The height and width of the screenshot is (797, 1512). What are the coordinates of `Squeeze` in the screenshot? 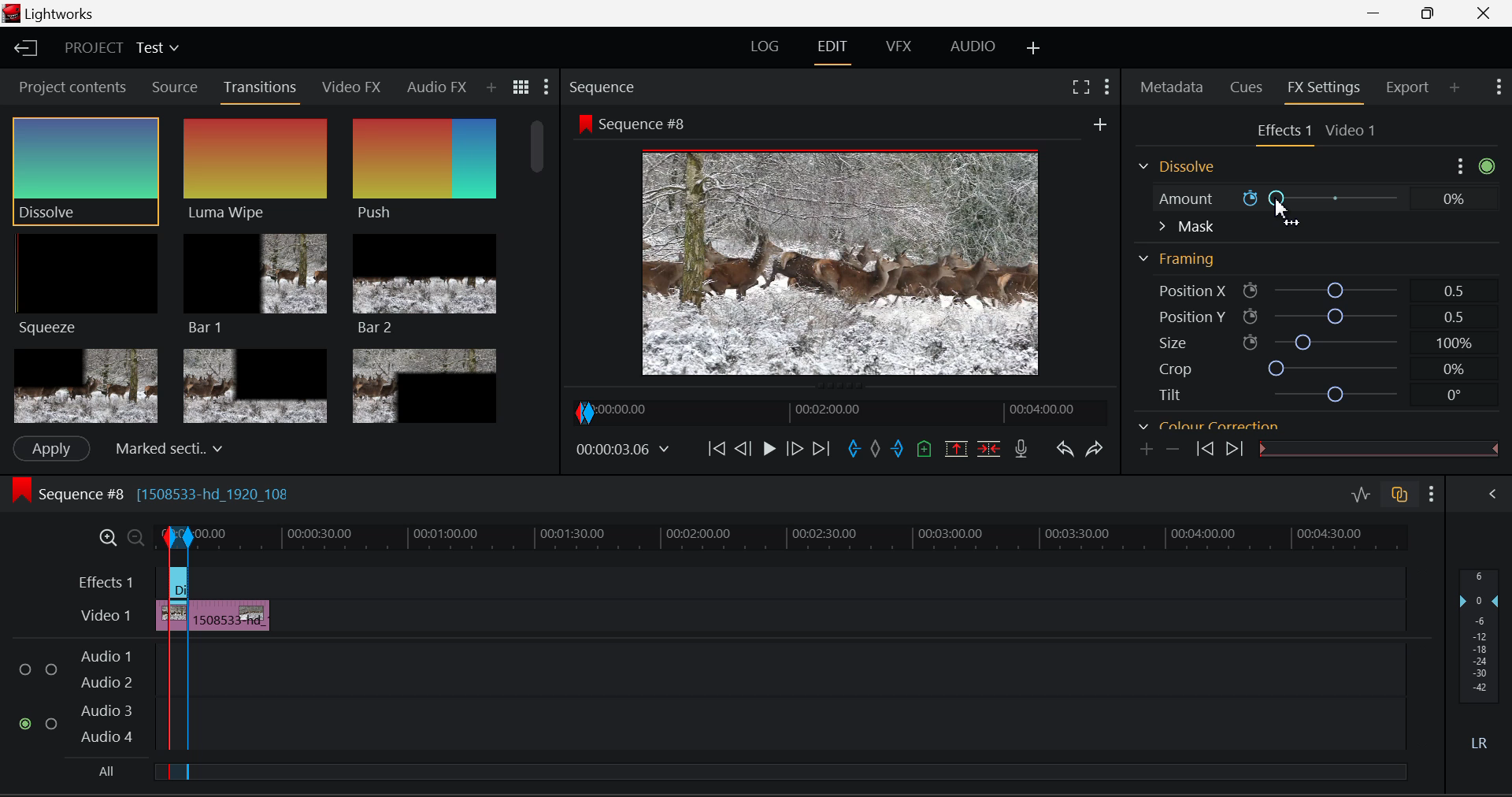 It's located at (89, 287).